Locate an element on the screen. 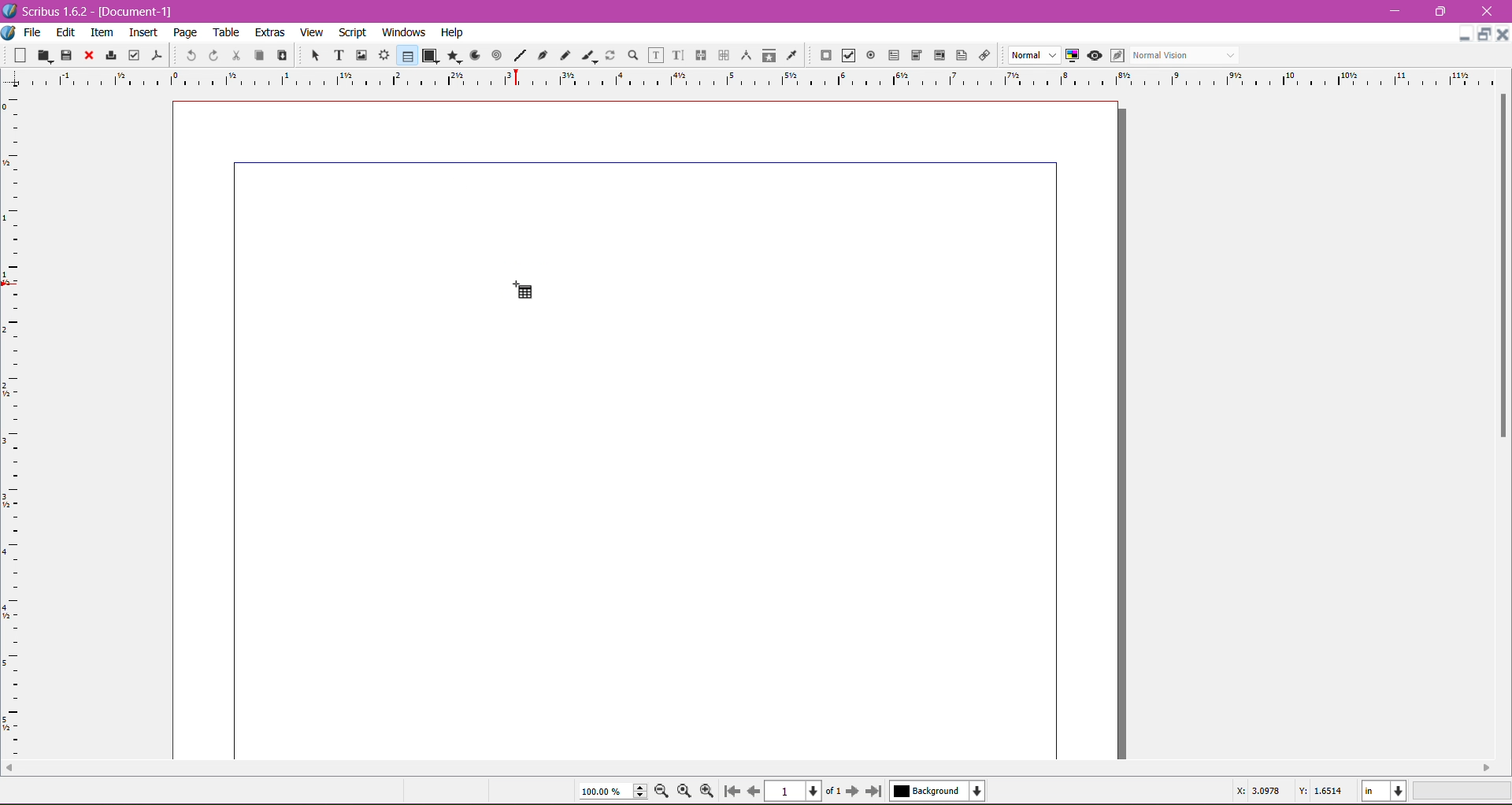 The width and height of the screenshot is (1512, 805). Text Frame is located at coordinates (335, 55).